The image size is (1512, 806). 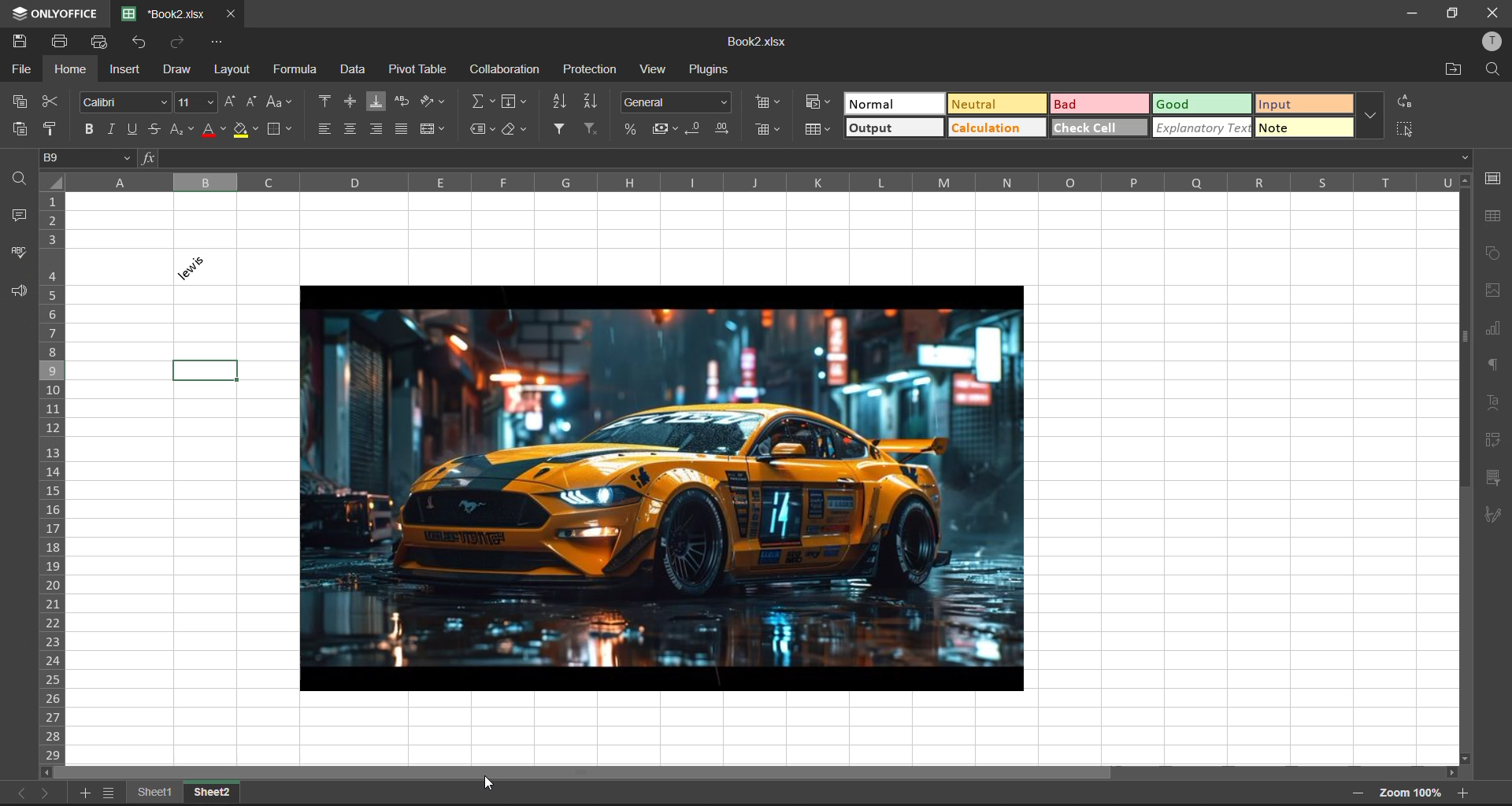 I want to click on charts, so click(x=1497, y=329).